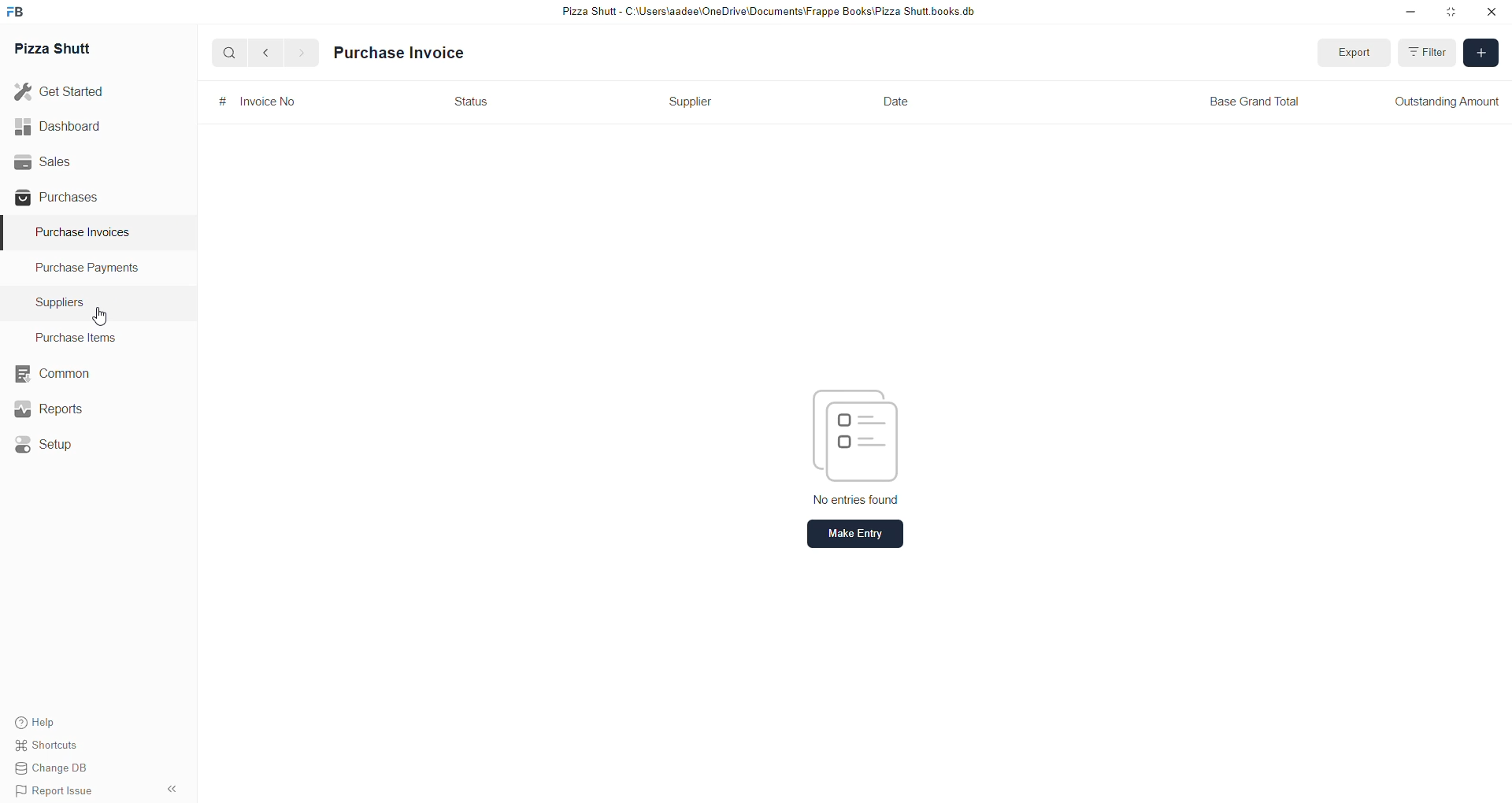 The image size is (1512, 803). What do you see at coordinates (51, 409) in the screenshot?
I see `Reports` at bounding box center [51, 409].